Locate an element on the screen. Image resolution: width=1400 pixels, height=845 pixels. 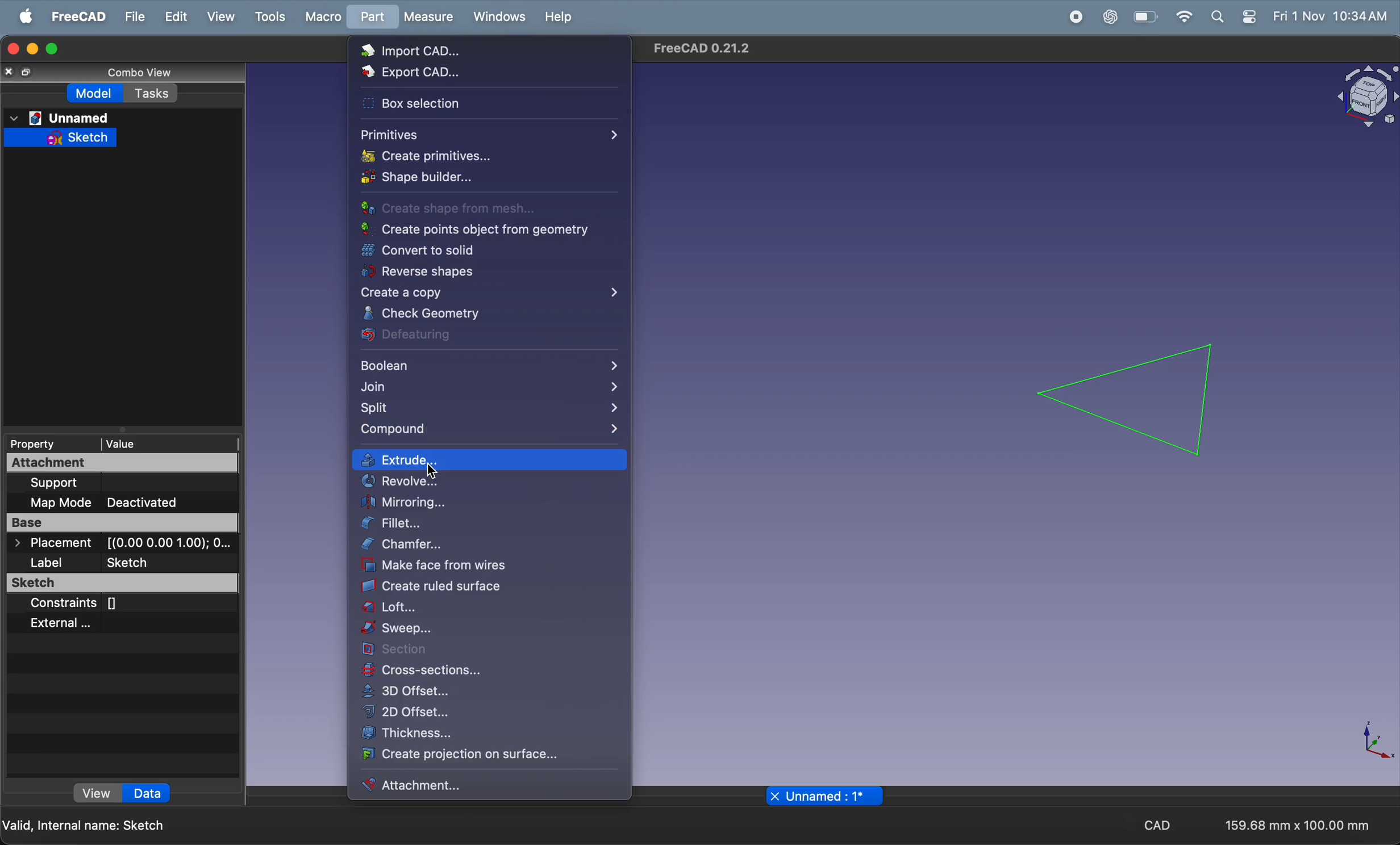
apple widgets is located at coordinates (1234, 17).